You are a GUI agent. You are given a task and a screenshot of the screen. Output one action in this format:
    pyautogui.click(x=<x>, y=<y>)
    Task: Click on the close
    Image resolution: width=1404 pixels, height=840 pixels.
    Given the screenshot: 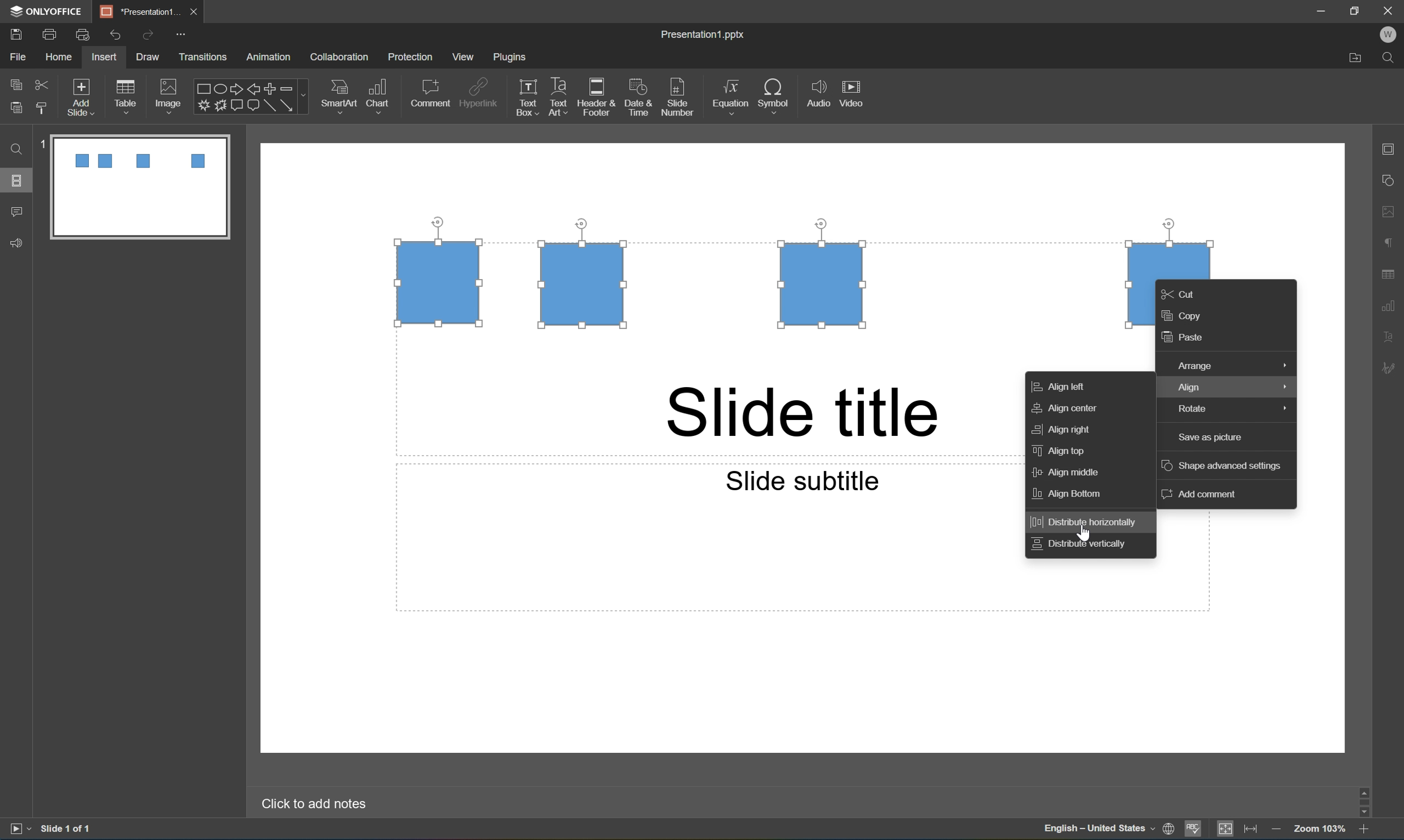 What is the action you would take?
    pyautogui.click(x=196, y=12)
    